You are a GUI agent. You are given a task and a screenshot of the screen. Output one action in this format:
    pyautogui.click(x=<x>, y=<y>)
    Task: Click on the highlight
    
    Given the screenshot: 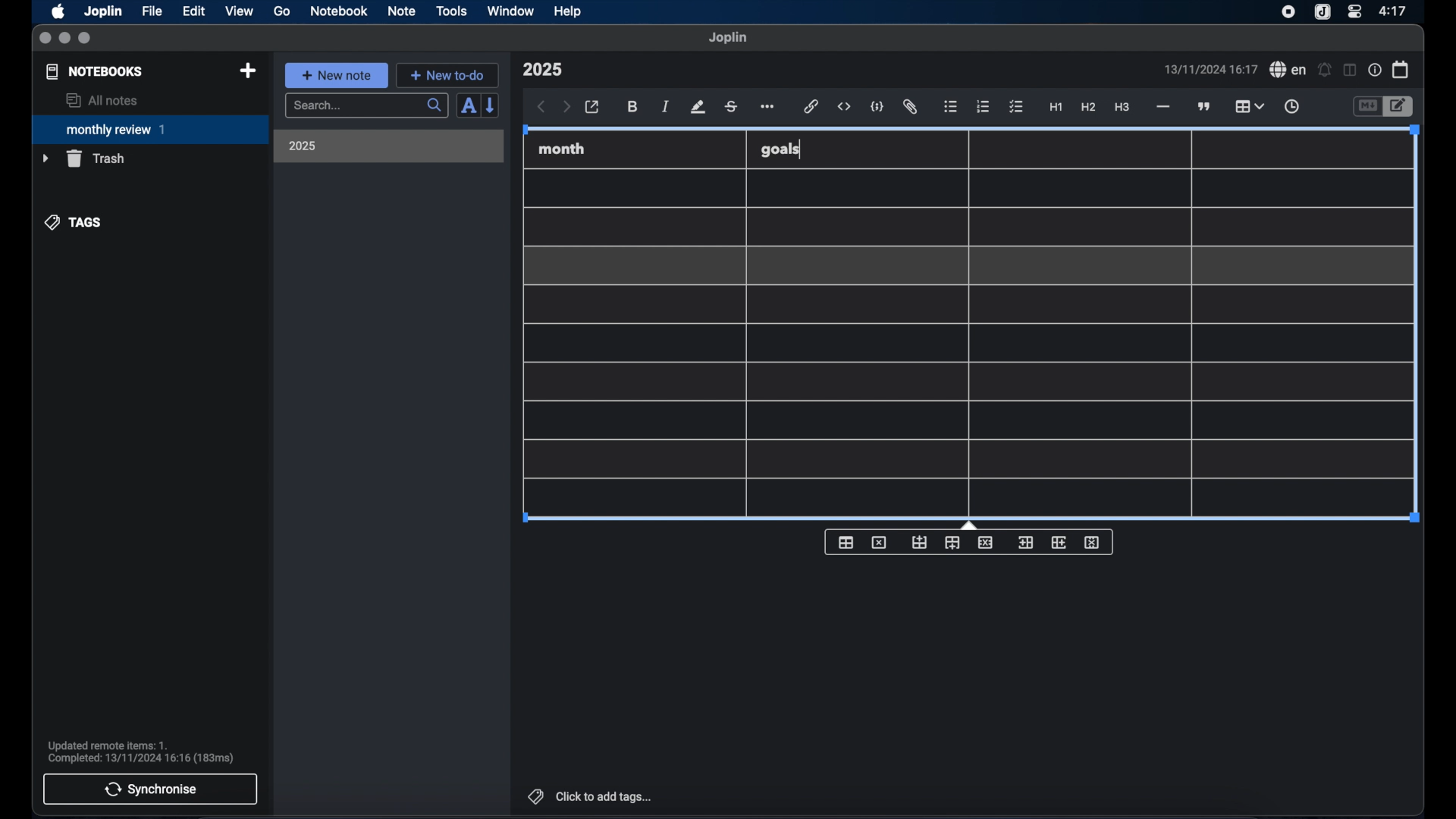 What is the action you would take?
    pyautogui.click(x=698, y=107)
    